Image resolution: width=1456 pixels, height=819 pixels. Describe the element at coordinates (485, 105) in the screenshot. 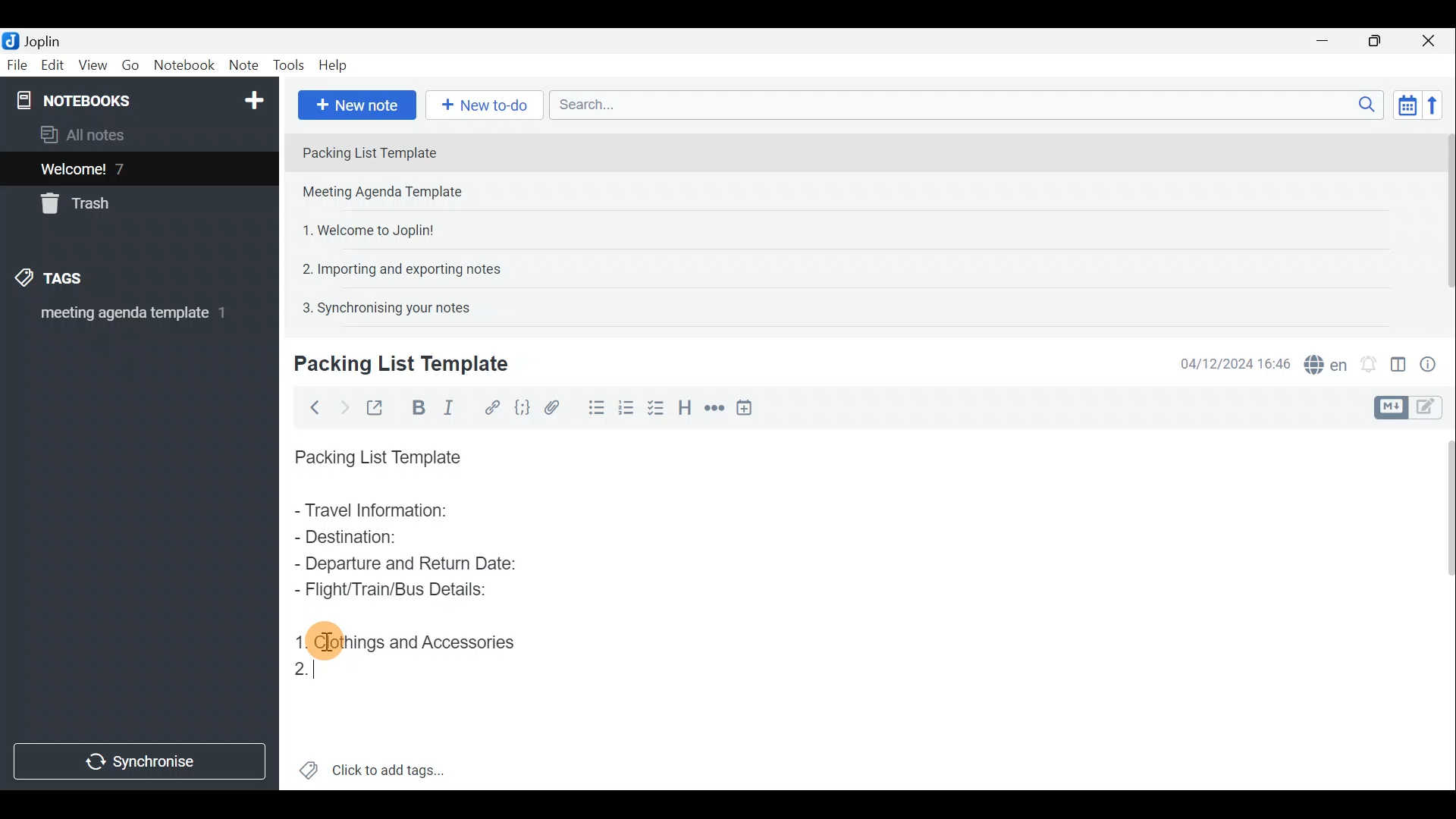

I see `New to-do` at that location.